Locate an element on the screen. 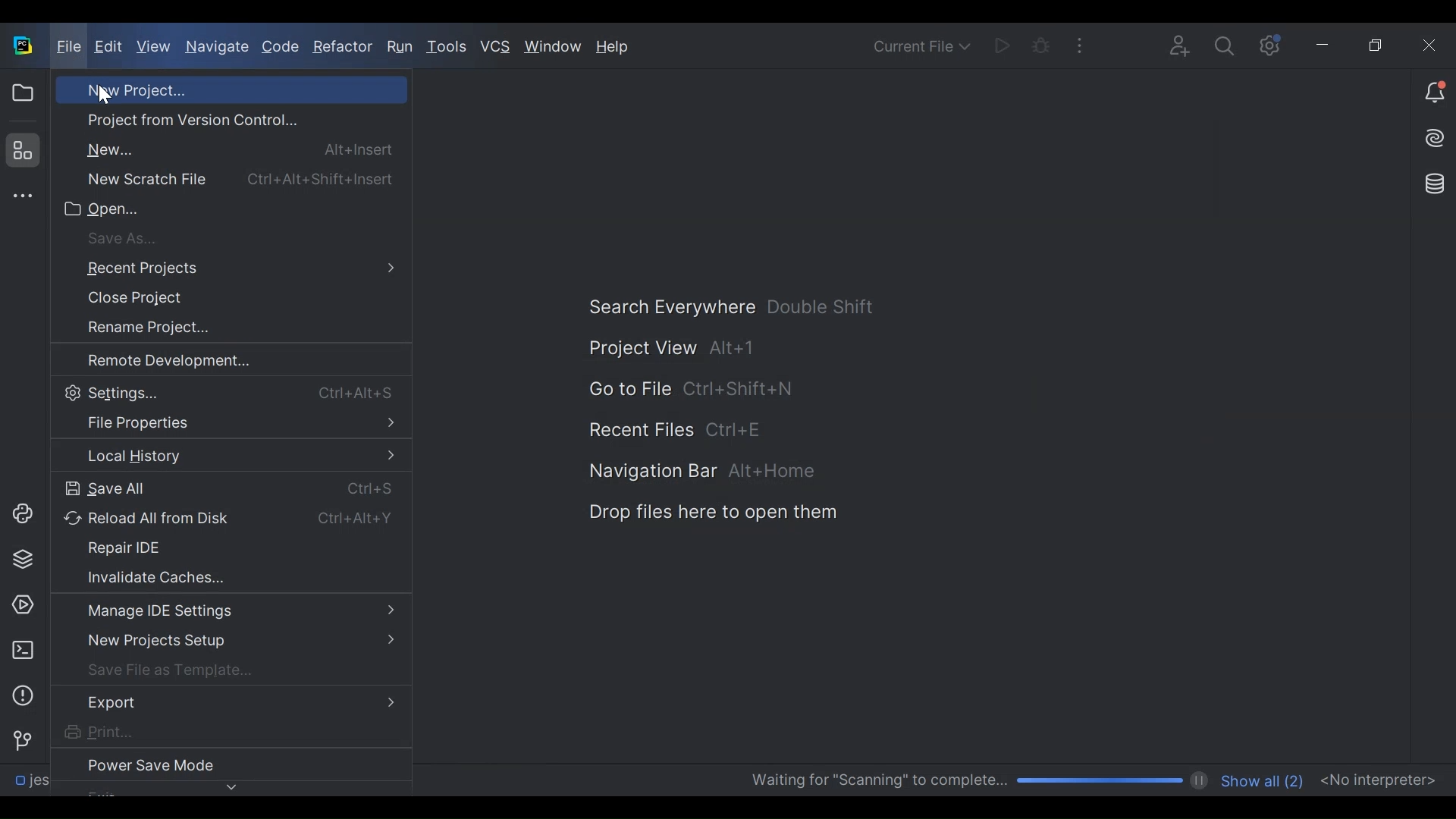  Go to File is located at coordinates (661, 389).